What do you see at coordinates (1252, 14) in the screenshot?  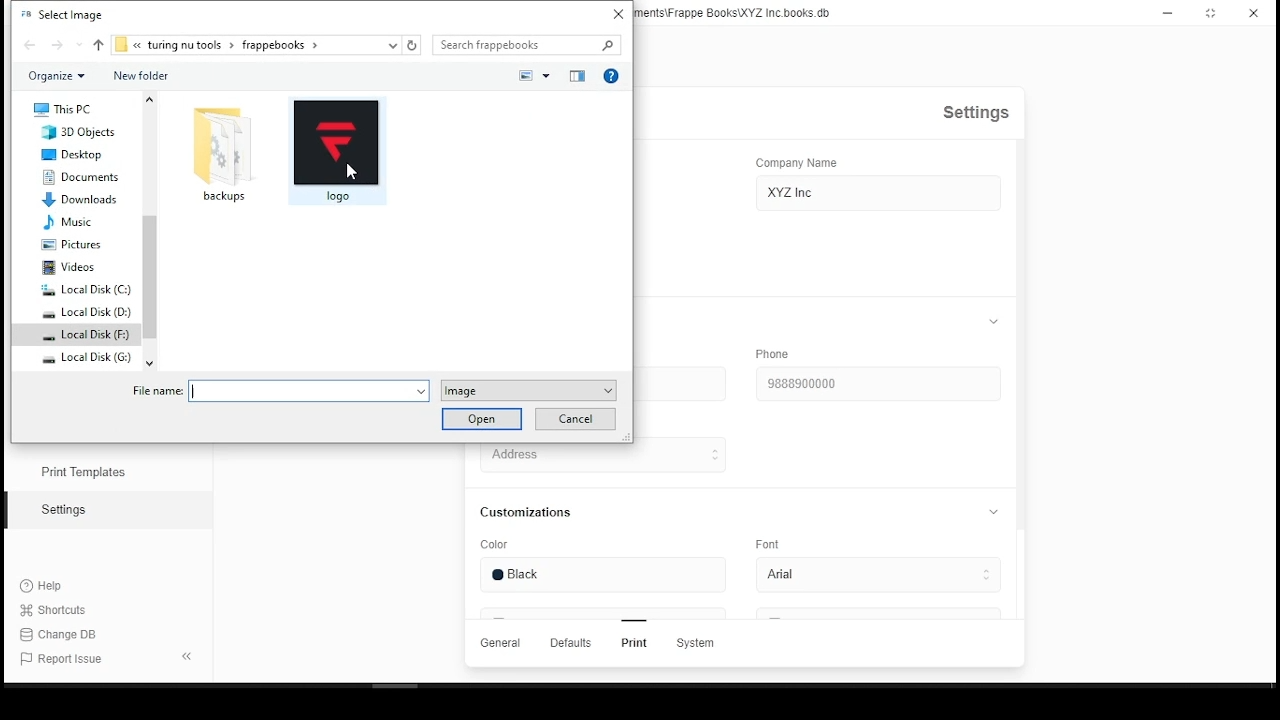 I see `close window` at bounding box center [1252, 14].